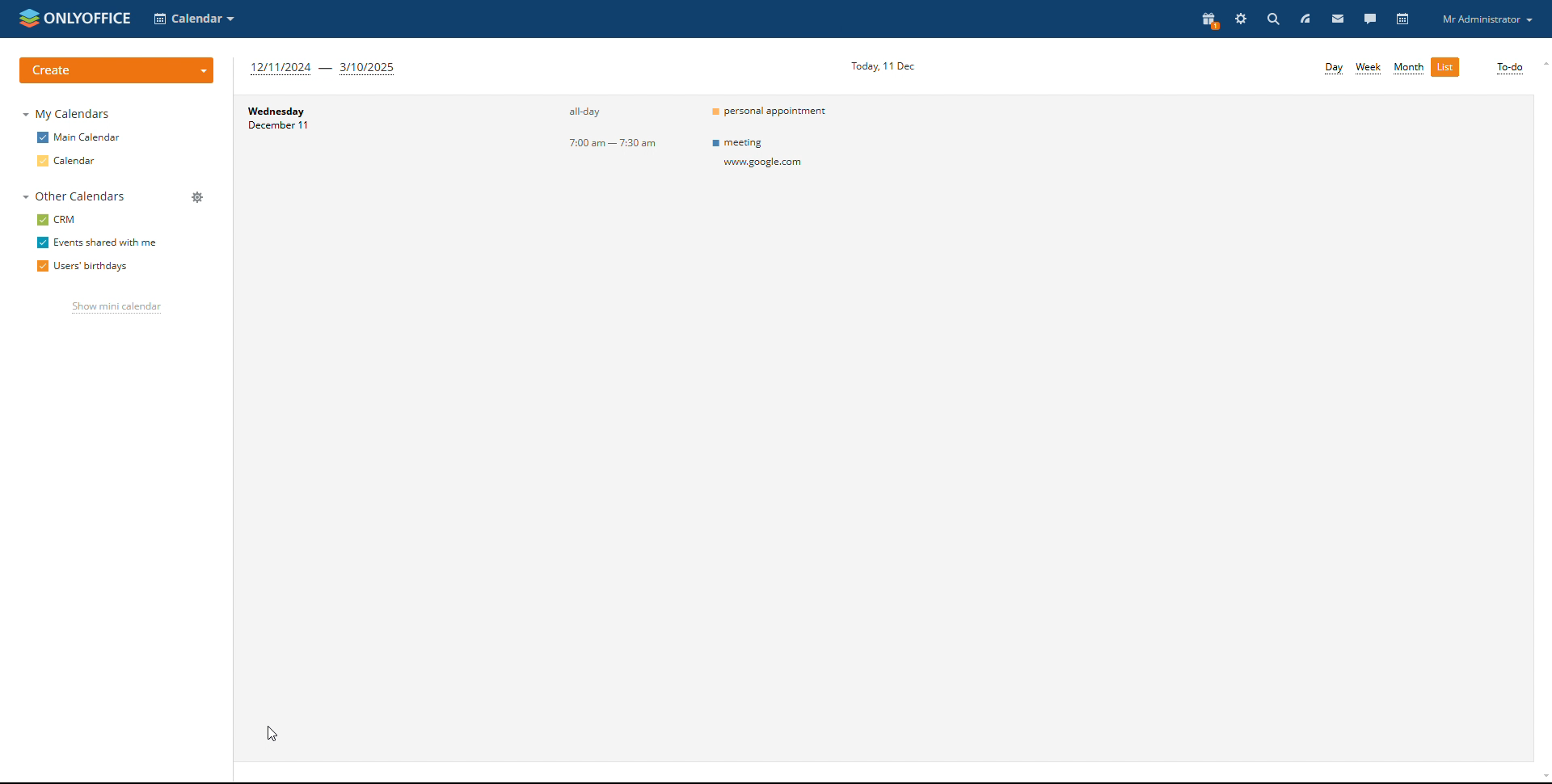 The width and height of the screenshot is (1552, 784). Describe the element at coordinates (1509, 69) in the screenshot. I see `to-do` at that location.